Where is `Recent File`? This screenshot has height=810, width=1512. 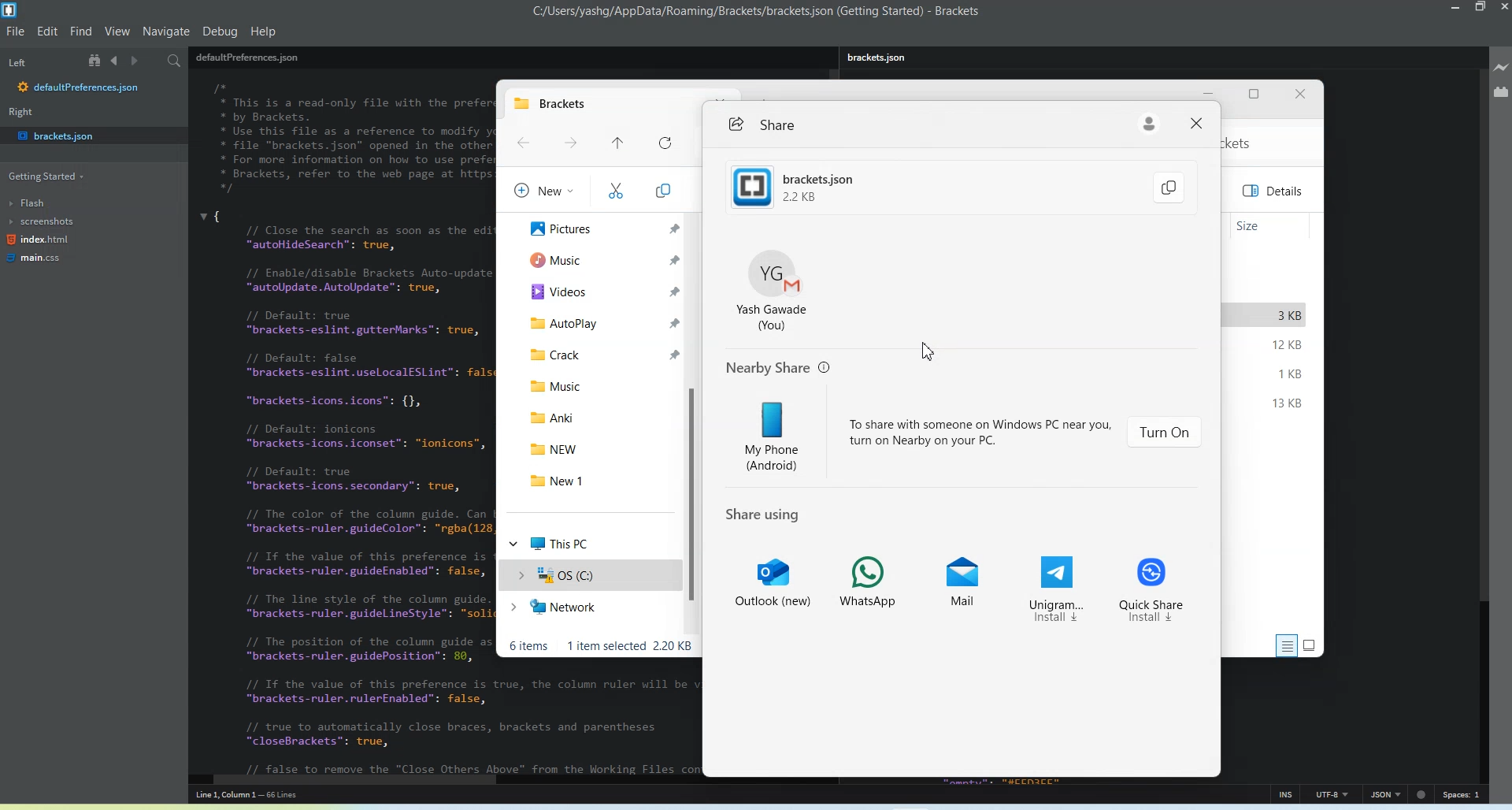 Recent File is located at coordinates (617, 144).